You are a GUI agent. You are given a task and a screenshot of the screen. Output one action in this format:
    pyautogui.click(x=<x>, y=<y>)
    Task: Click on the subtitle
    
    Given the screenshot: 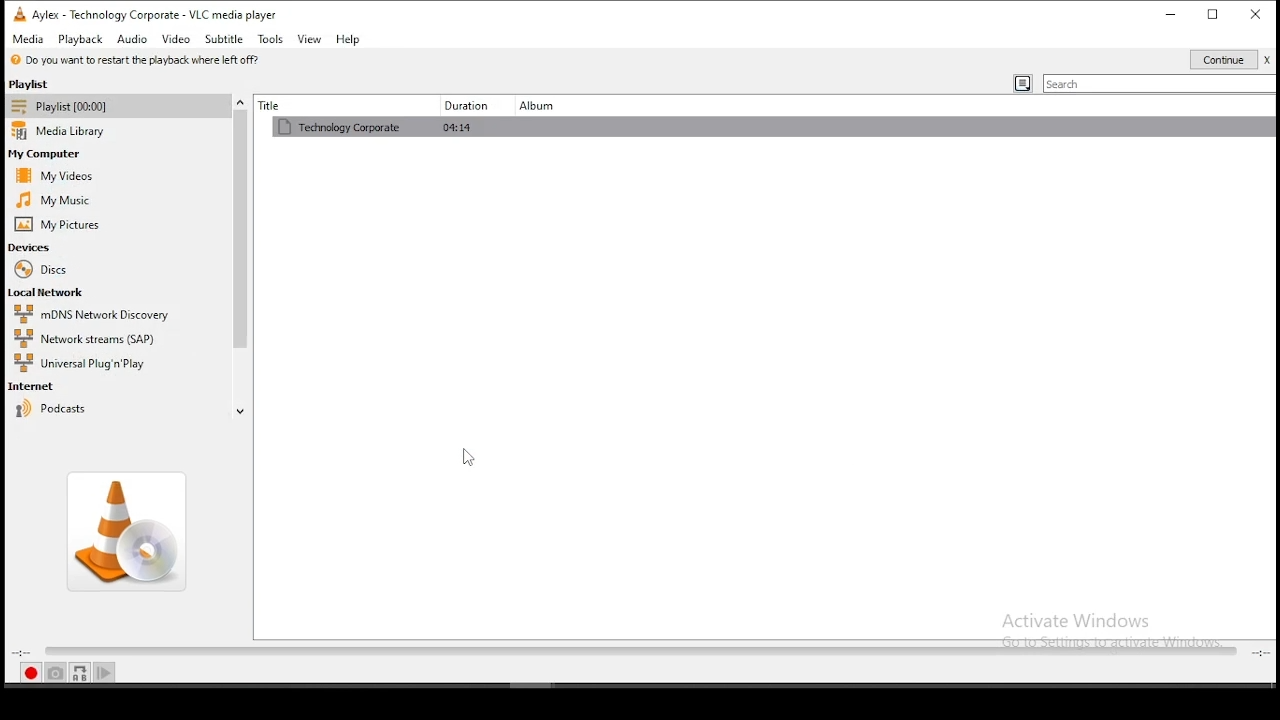 What is the action you would take?
    pyautogui.click(x=224, y=38)
    